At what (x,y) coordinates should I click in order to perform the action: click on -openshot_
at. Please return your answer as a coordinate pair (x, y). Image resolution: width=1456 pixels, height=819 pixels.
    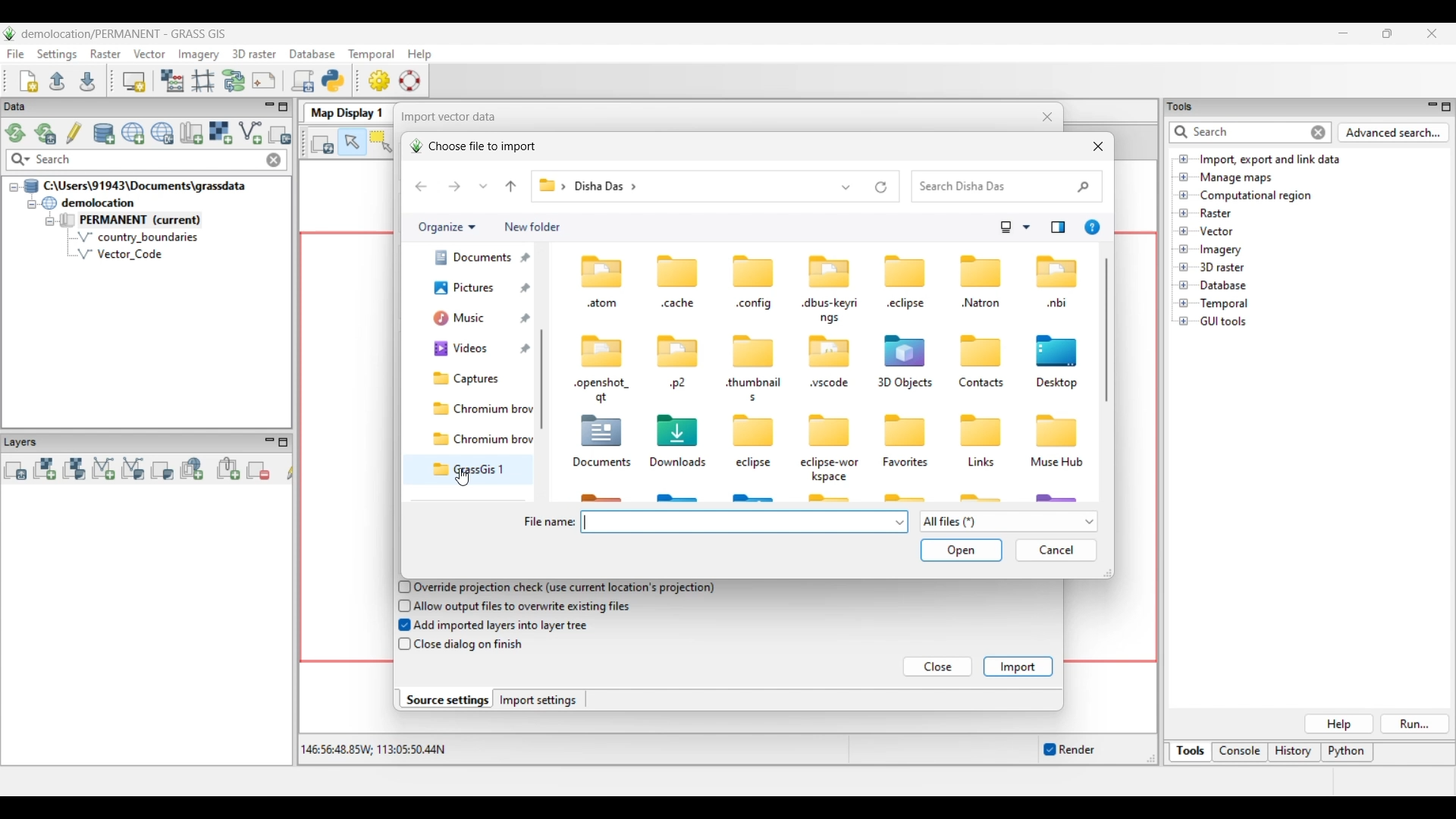
    Looking at the image, I should click on (603, 391).